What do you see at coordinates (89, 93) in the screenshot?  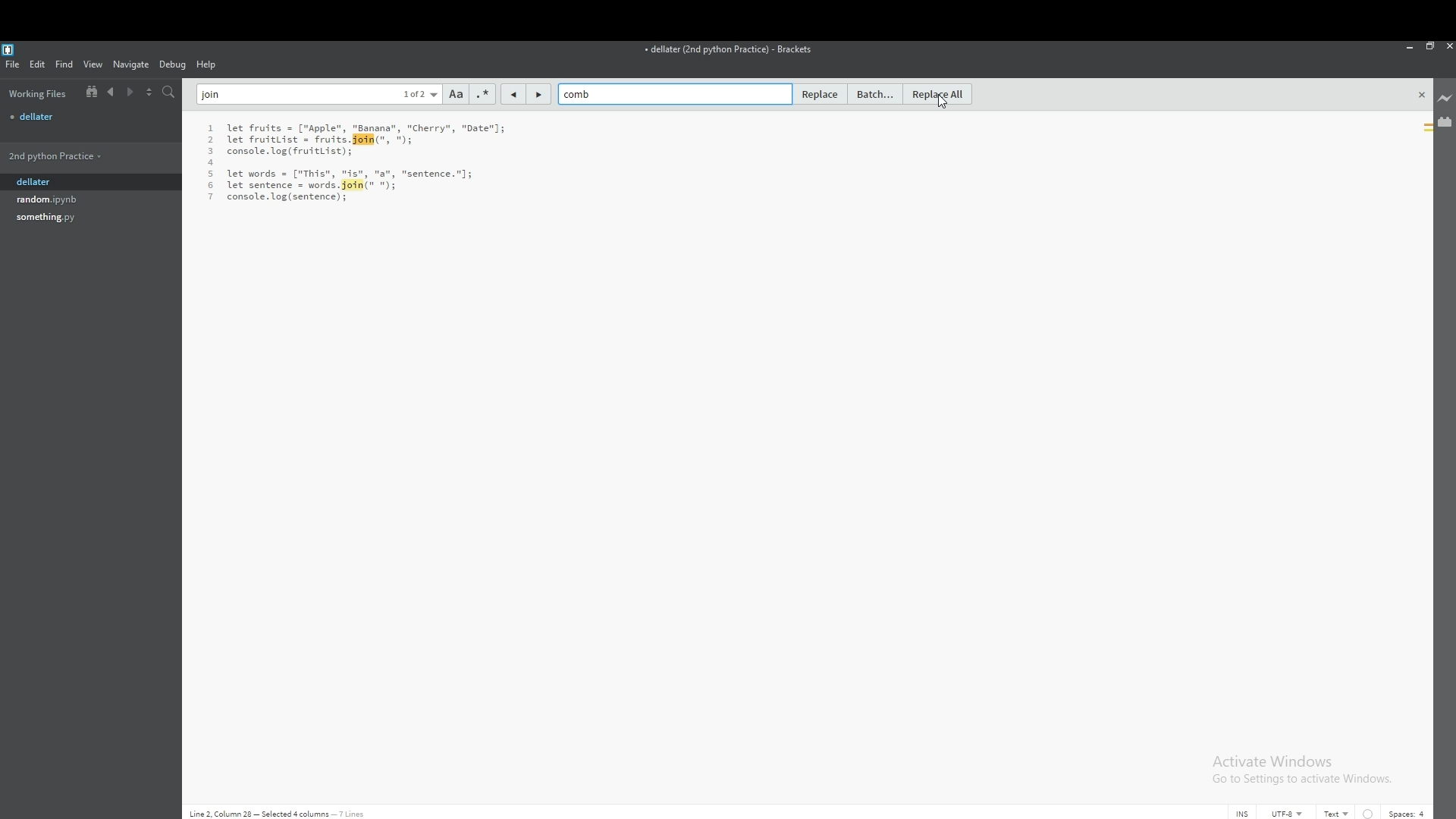 I see `show in file tree` at bounding box center [89, 93].